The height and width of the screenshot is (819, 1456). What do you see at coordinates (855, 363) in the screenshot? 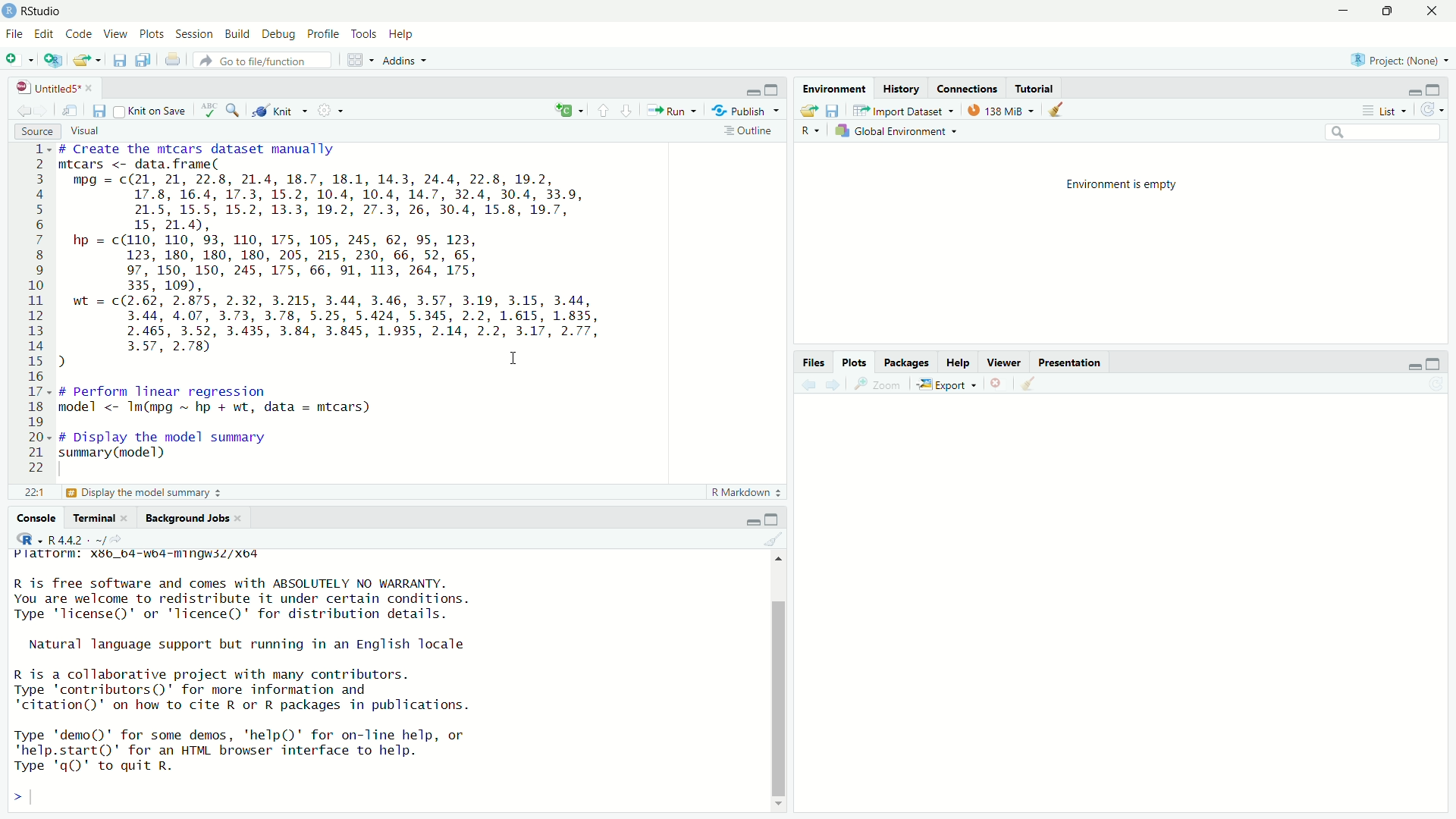
I see `Plots` at bounding box center [855, 363].